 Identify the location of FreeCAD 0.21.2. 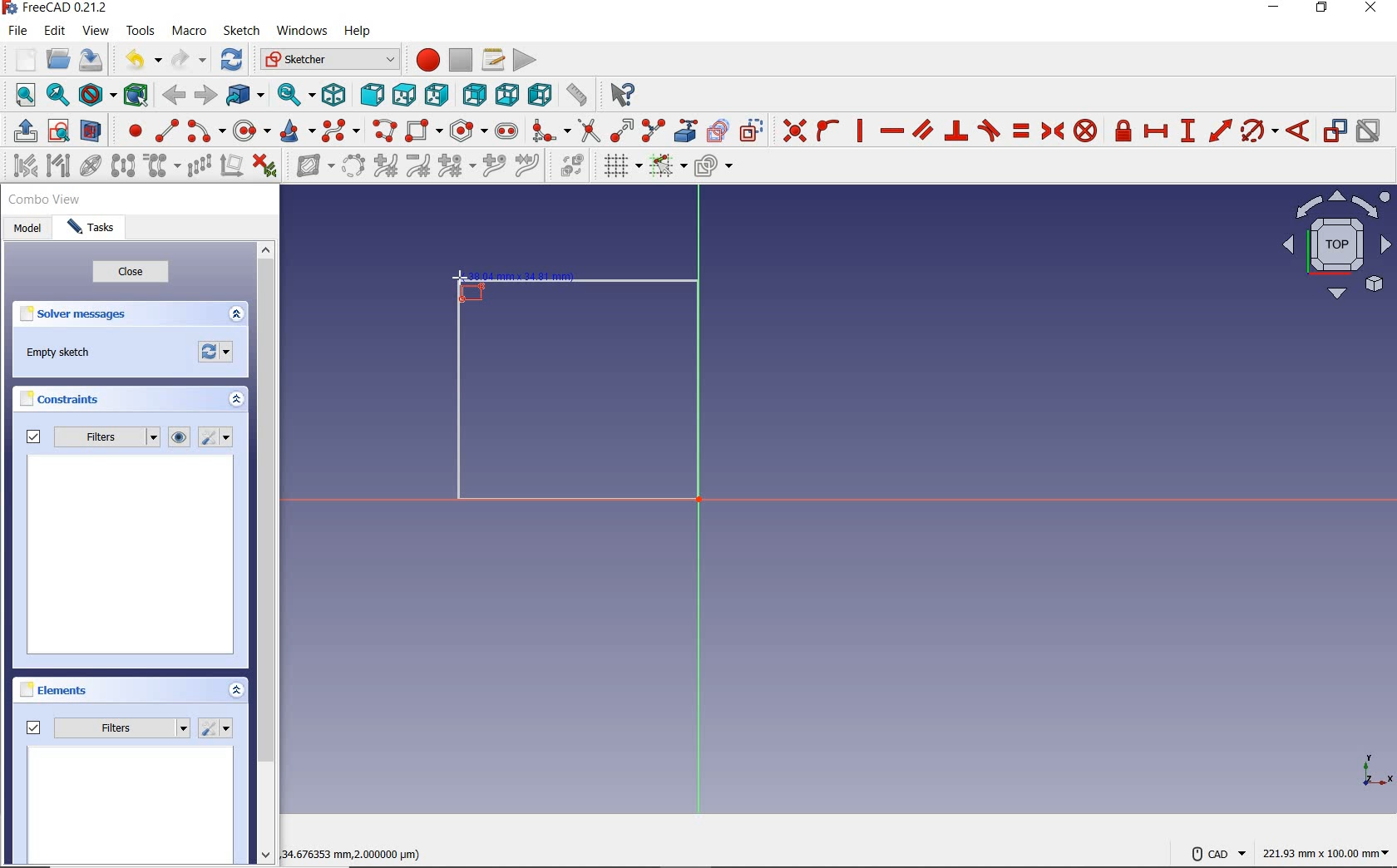
(53, 9).